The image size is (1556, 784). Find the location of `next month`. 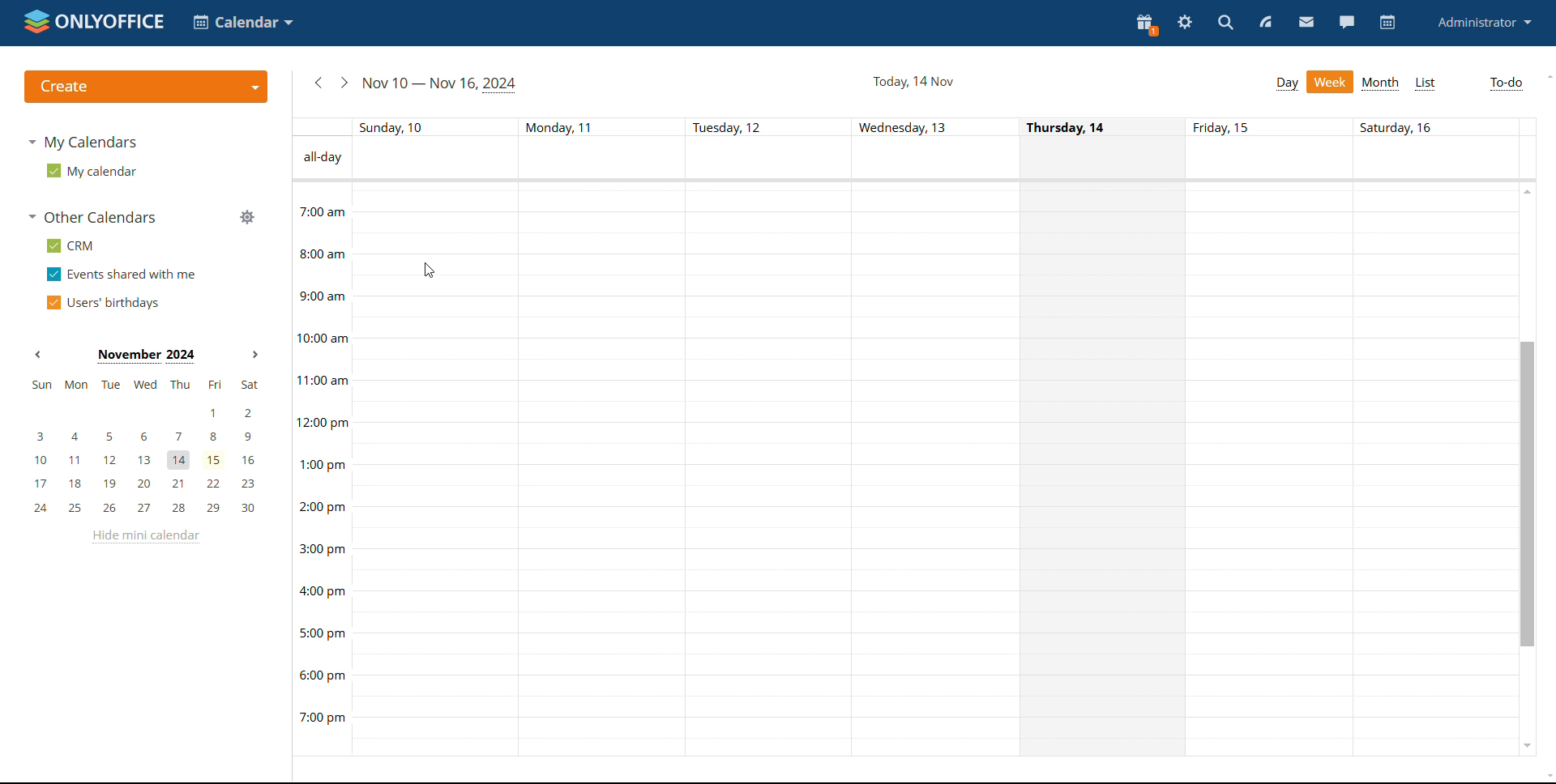

next month is located at coordinates (254, 355).